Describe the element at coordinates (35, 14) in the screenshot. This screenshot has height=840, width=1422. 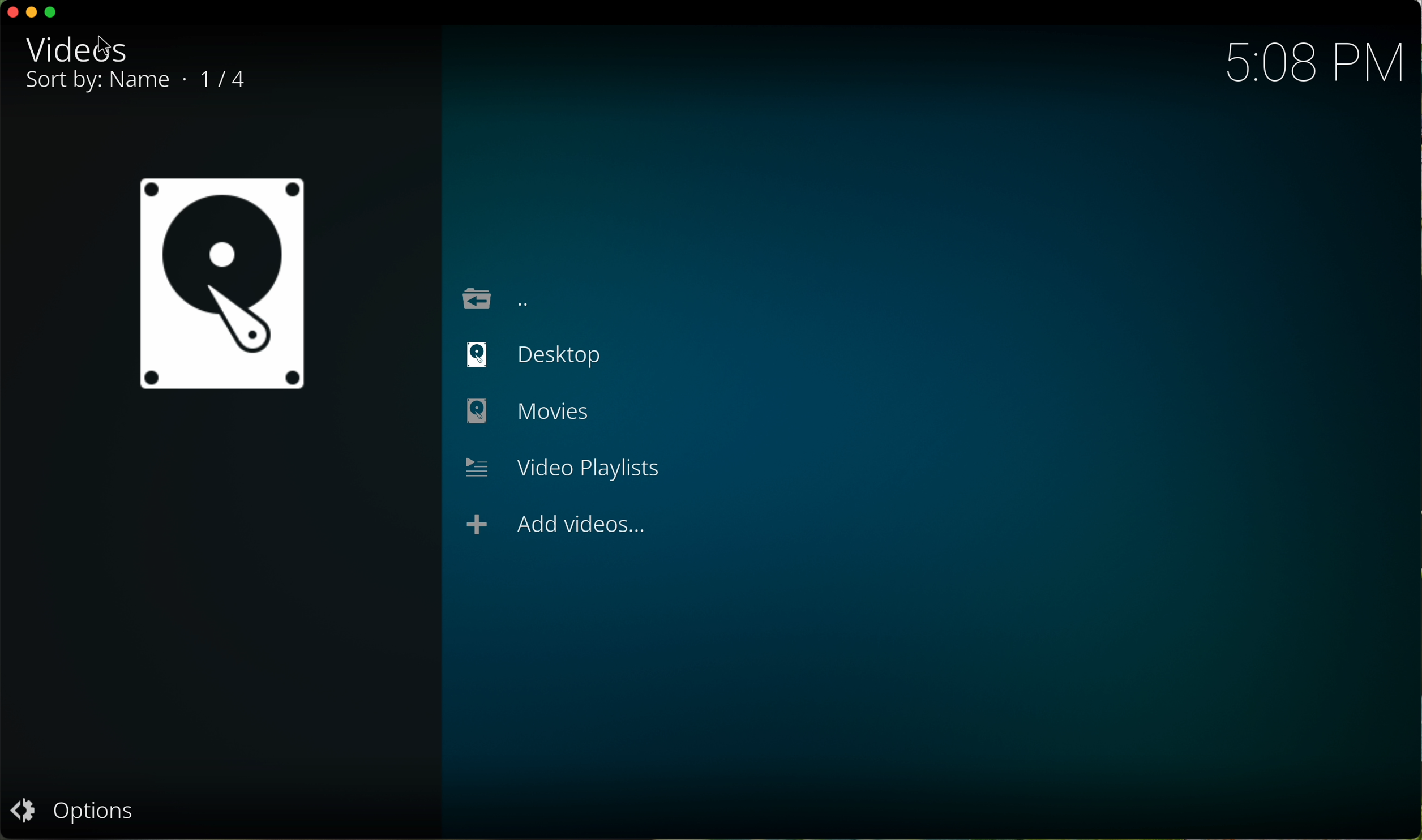
I see `minimize` at that location.